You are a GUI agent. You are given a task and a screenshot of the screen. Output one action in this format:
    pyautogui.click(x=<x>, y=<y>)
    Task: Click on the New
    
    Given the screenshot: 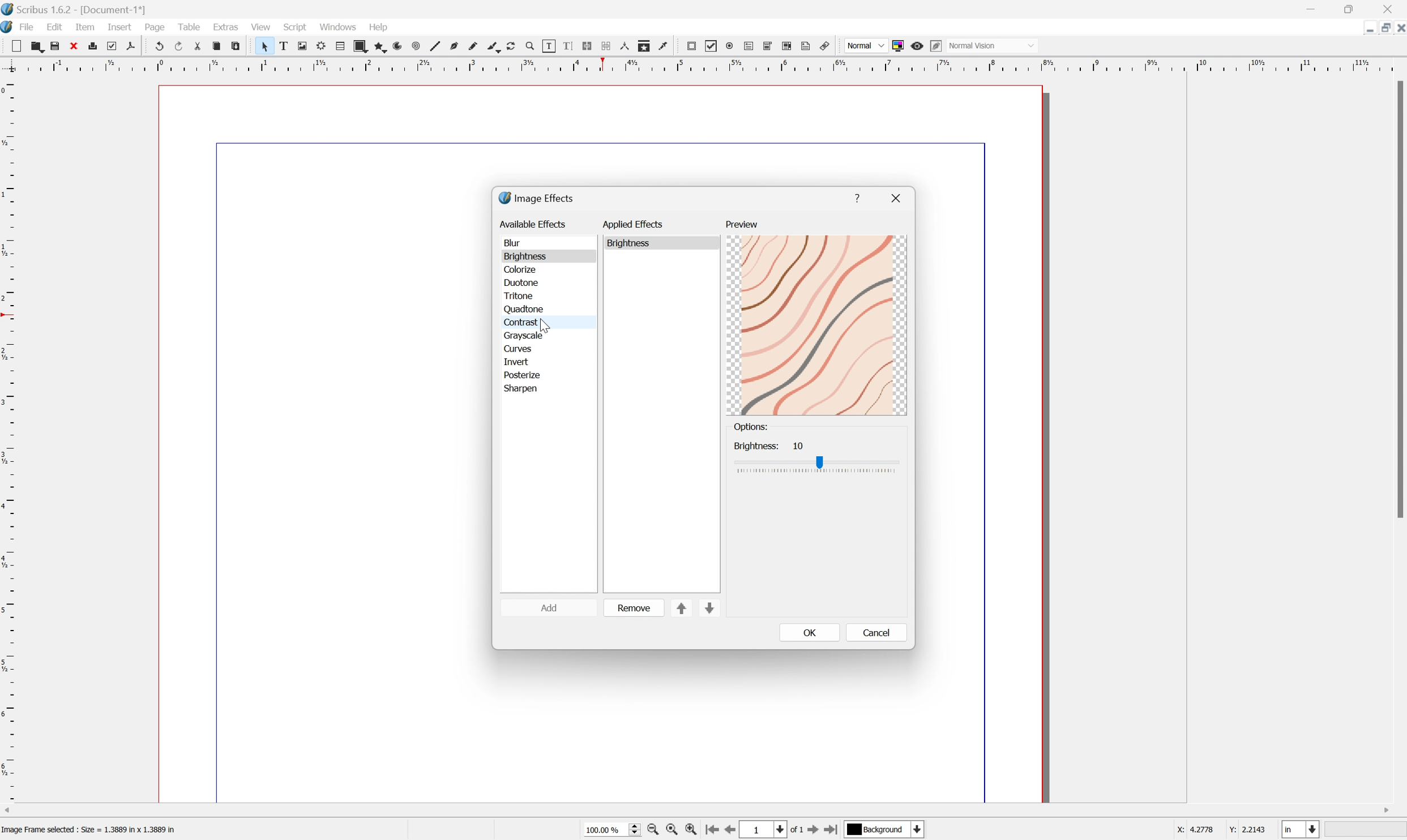 What is the action you would take?
    pyautogui.click(x=12, y=44)
    